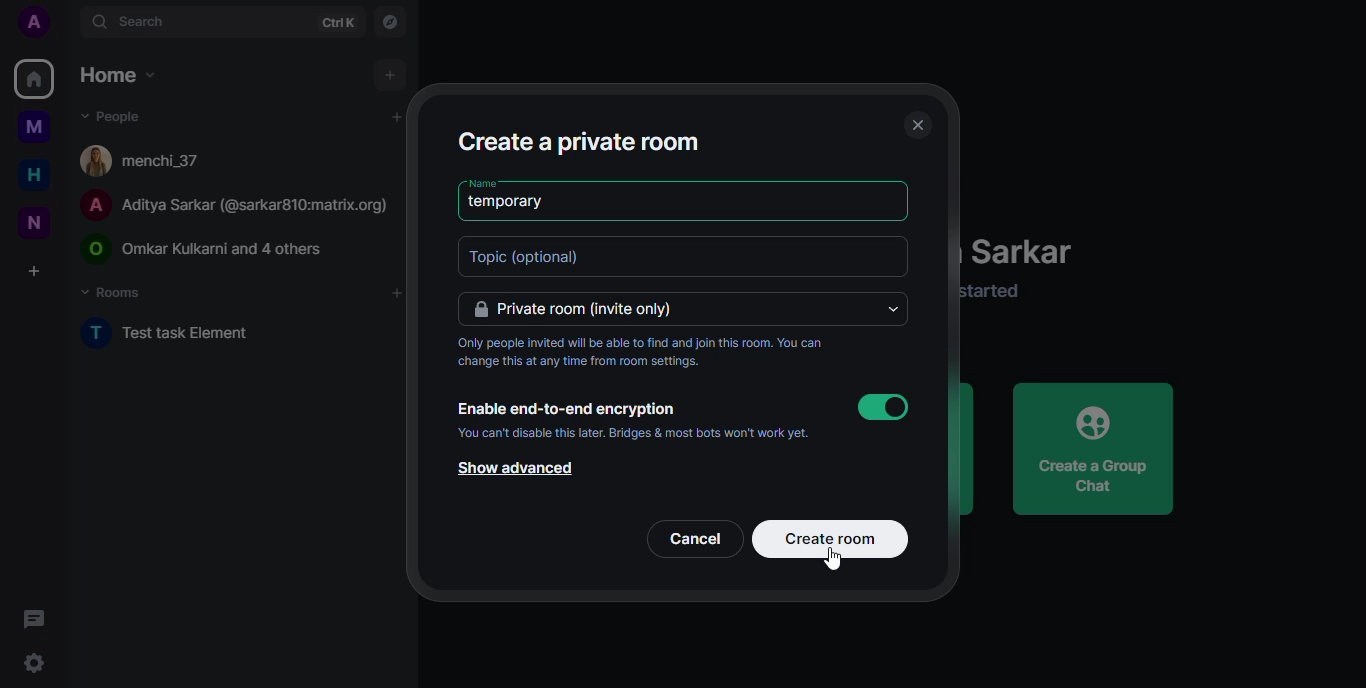  I want to click on temporary, so click(509, 202).